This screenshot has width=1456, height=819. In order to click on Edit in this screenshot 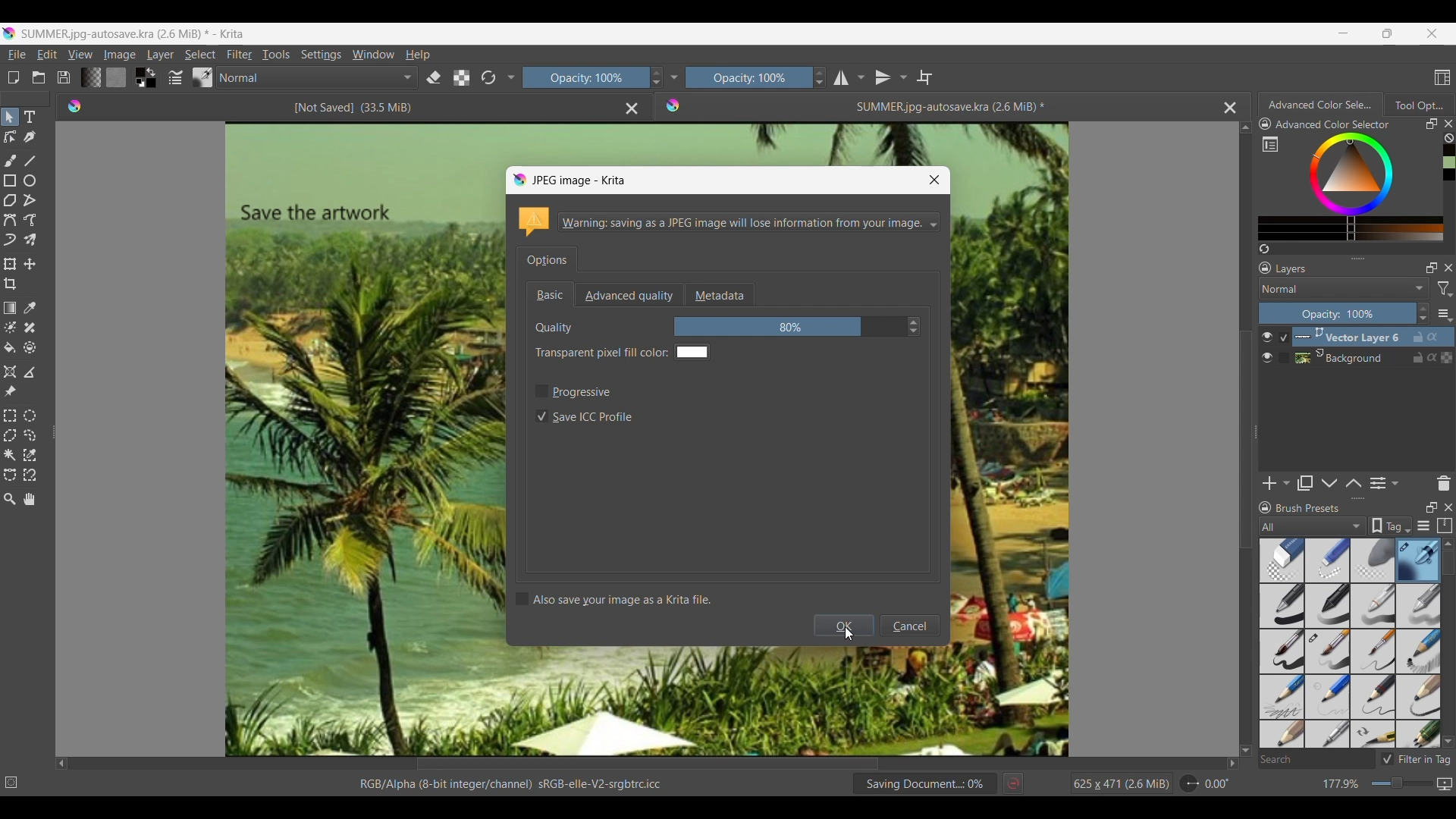, I will do `click(47, 54)`.